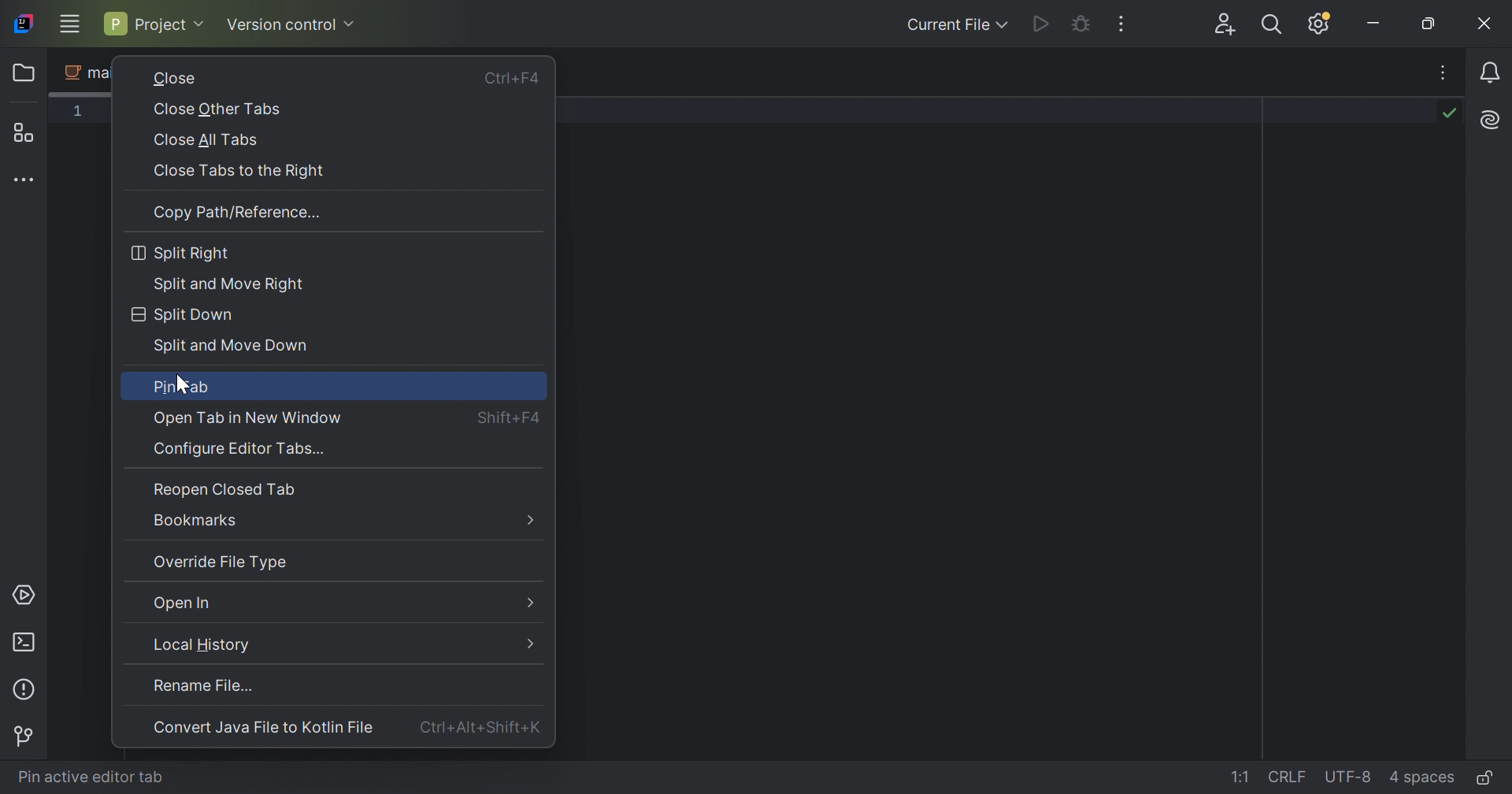 This screenshot has width=1512, height=794. Describe the element at coordinates (203, 141) in the screenshot. I see `Close all tabs` at that location.